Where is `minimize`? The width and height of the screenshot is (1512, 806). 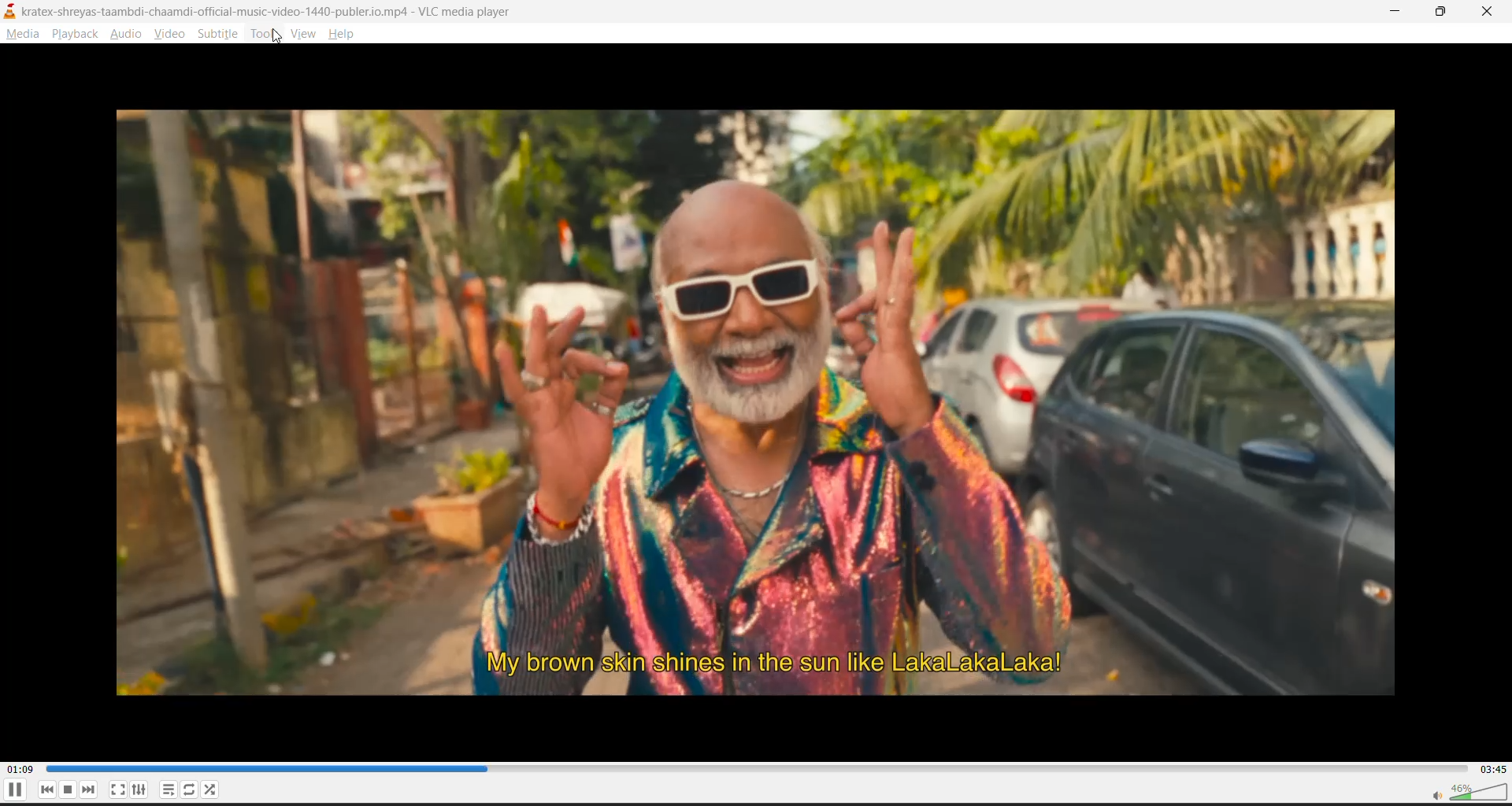
minimize is located at coordinates (1397, 11).